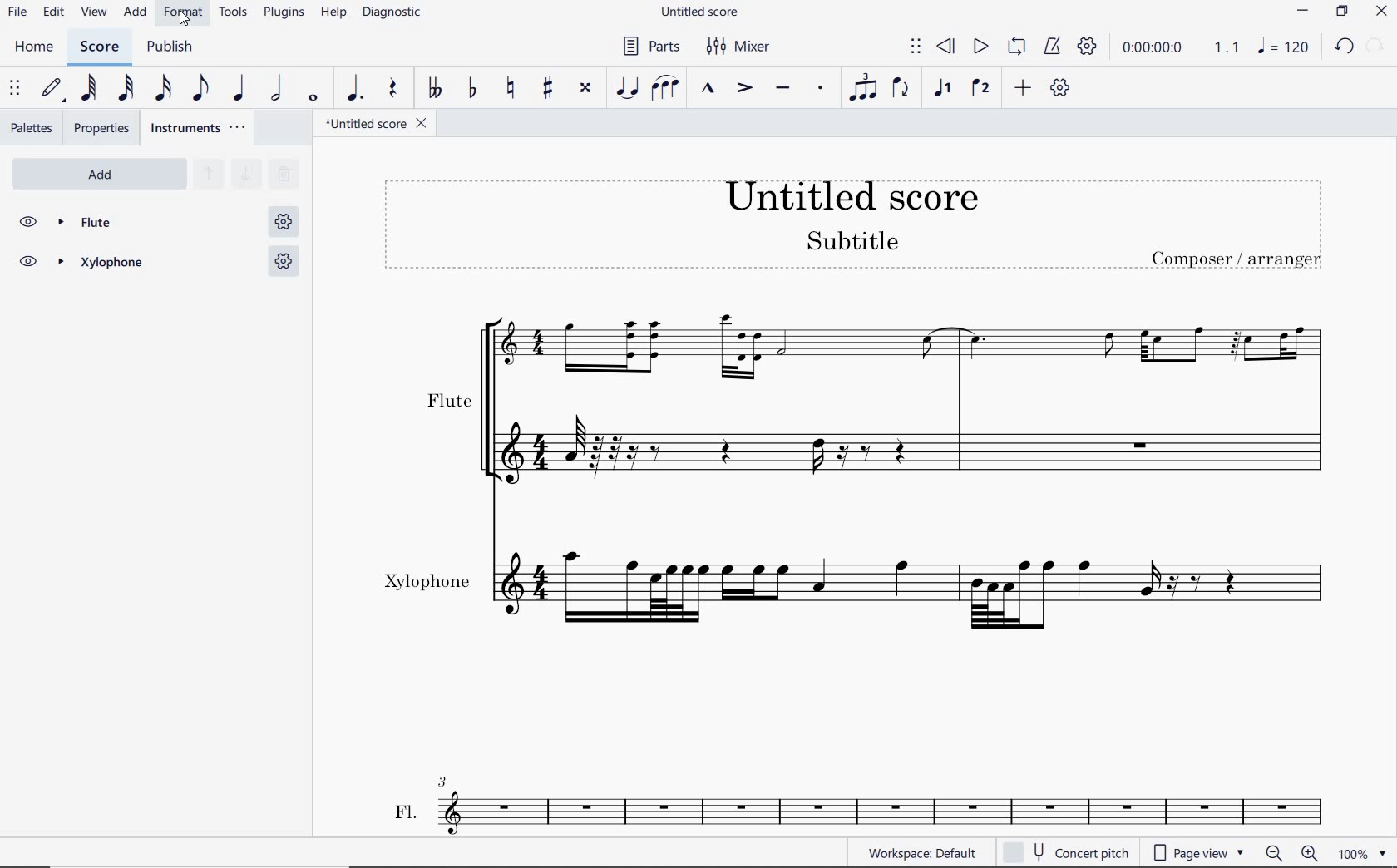 This screenshot has height=868, width=1397. Describe the element at coordinates (943, 91) in the screenshot. I see `VOICE 1` at that location.